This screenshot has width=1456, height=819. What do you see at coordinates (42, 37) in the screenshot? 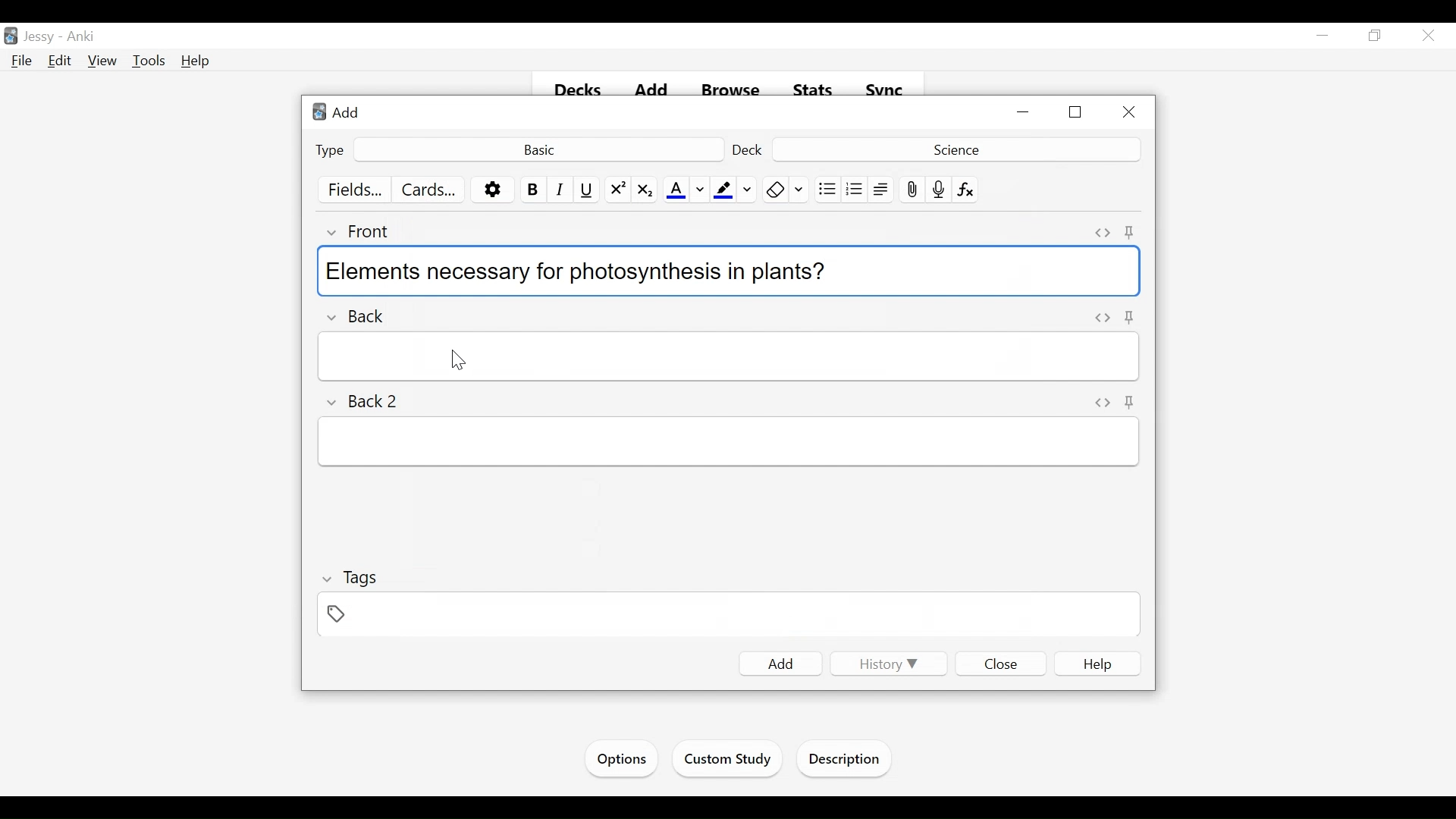
I see `User Name` at bounding box center [42, 37].